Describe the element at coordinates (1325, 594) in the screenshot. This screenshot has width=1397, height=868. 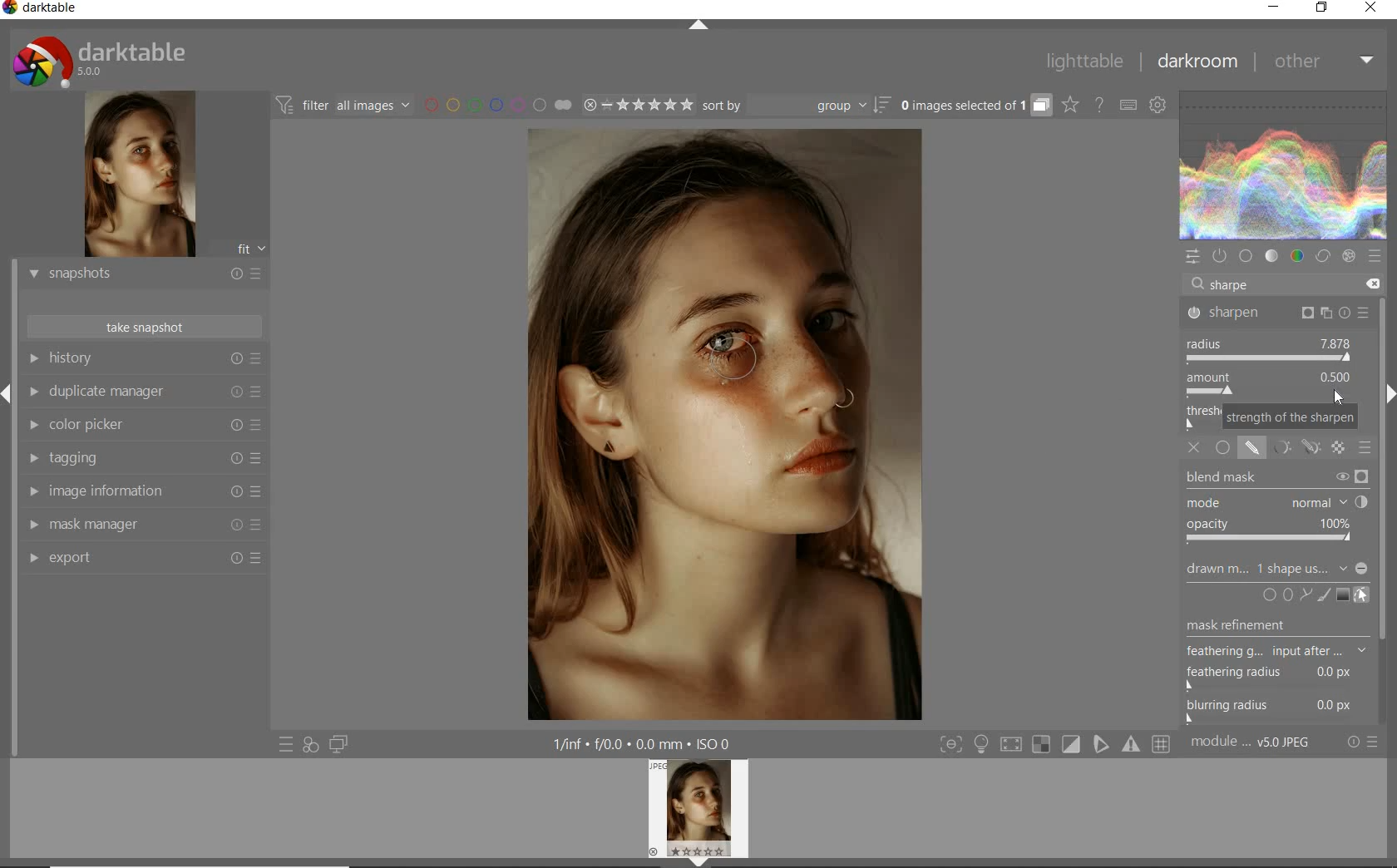
I see `ADD BRUSH` at that location.